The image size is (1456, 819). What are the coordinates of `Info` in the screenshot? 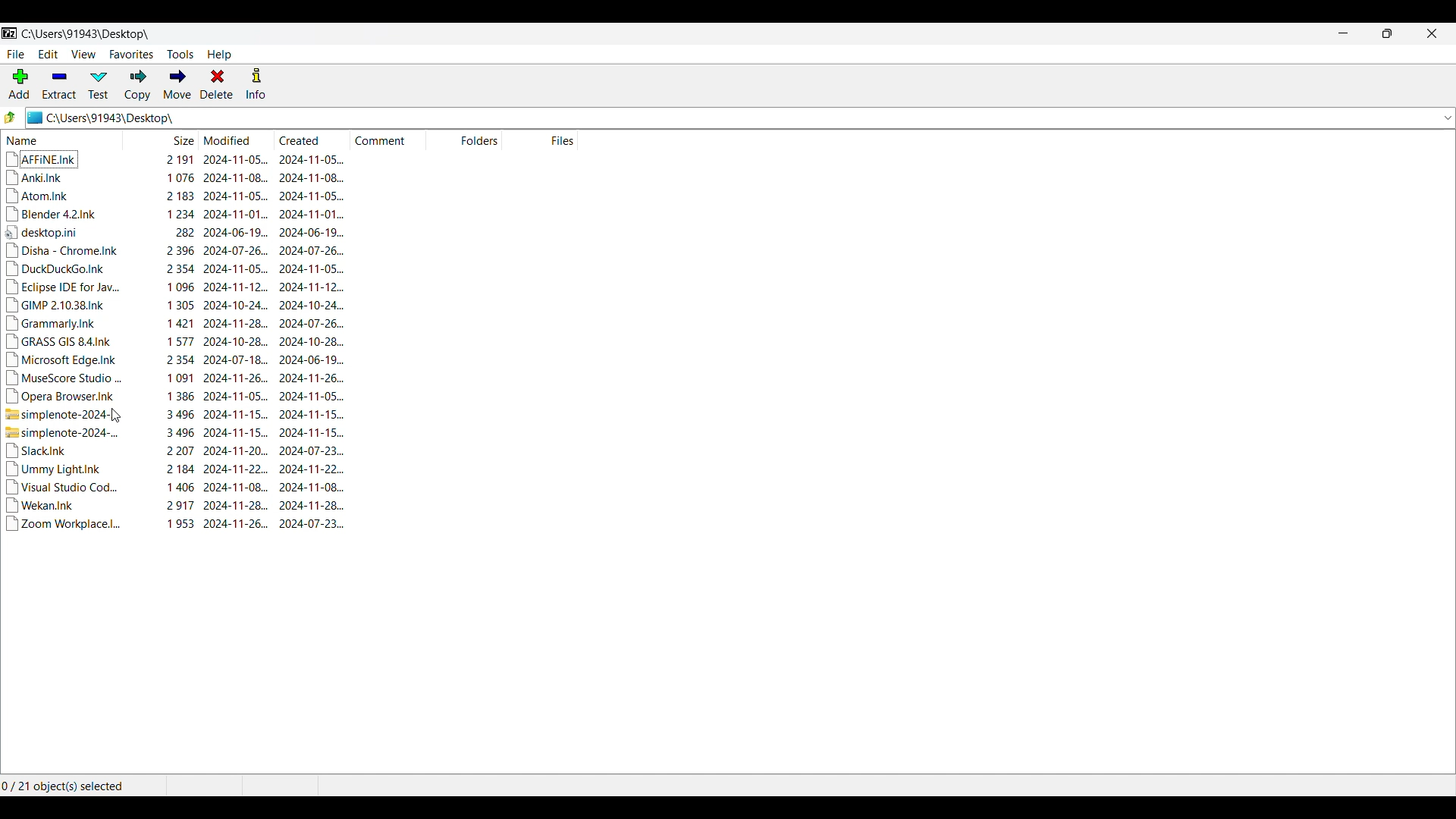 It's located at (256, 83).